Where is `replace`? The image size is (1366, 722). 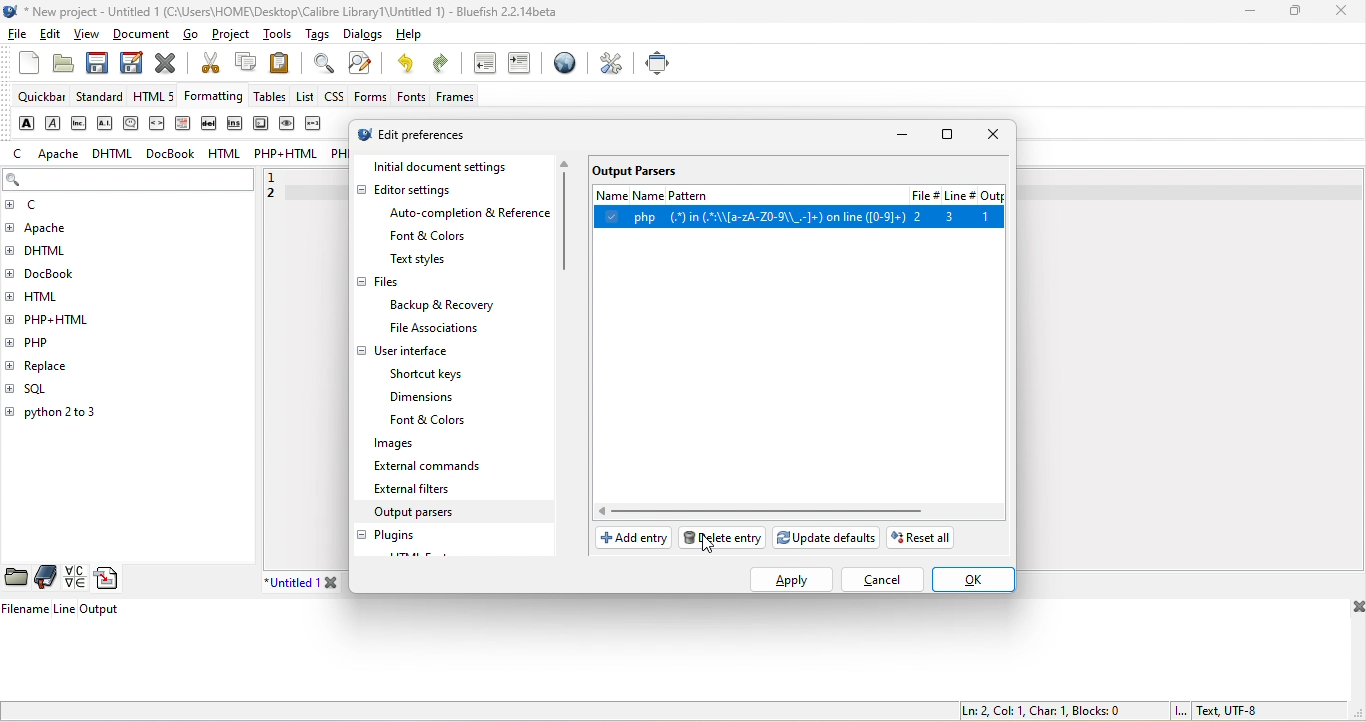 replace is located at coordinates (79, 363).